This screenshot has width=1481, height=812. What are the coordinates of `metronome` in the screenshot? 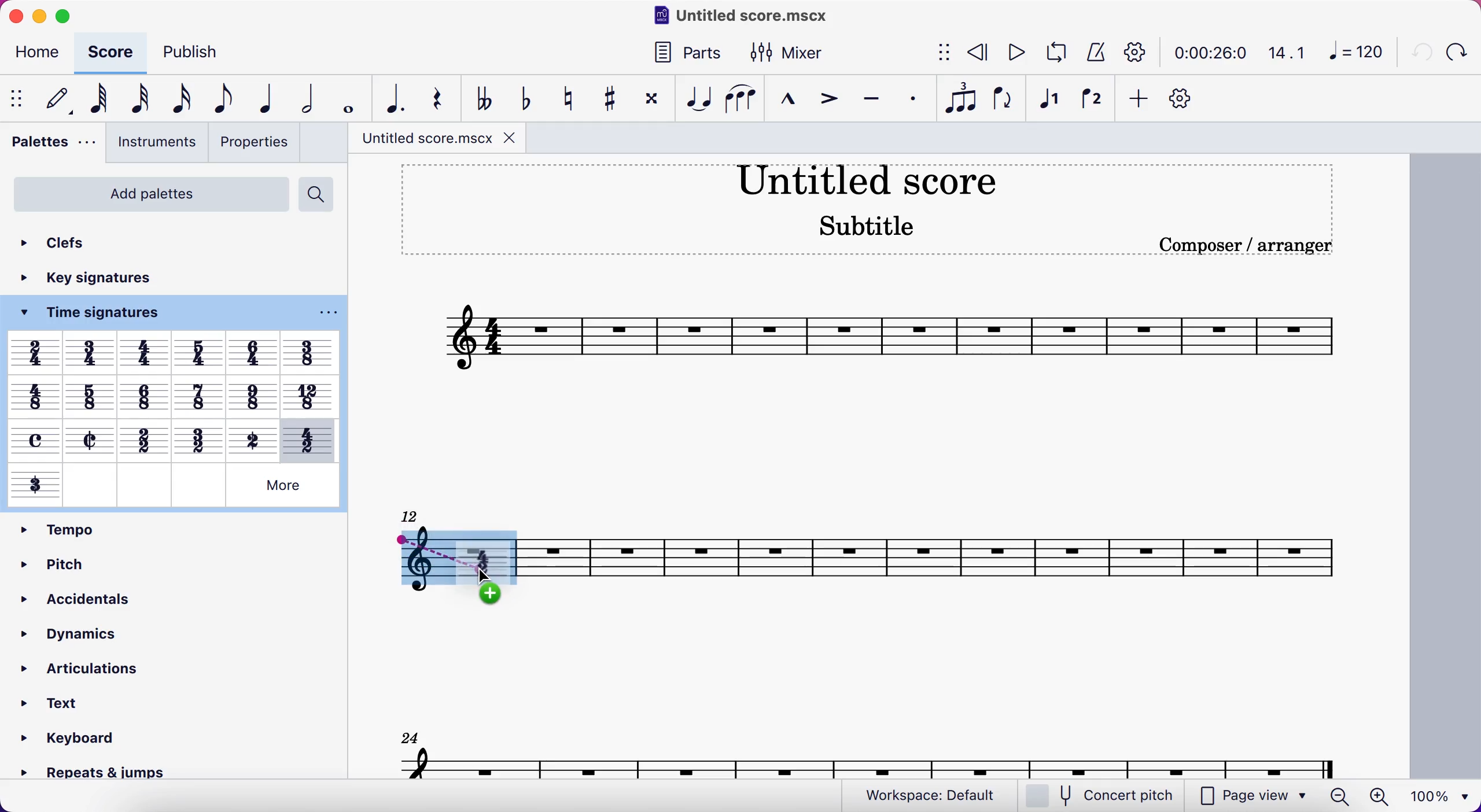 It's located at (1092, 53).